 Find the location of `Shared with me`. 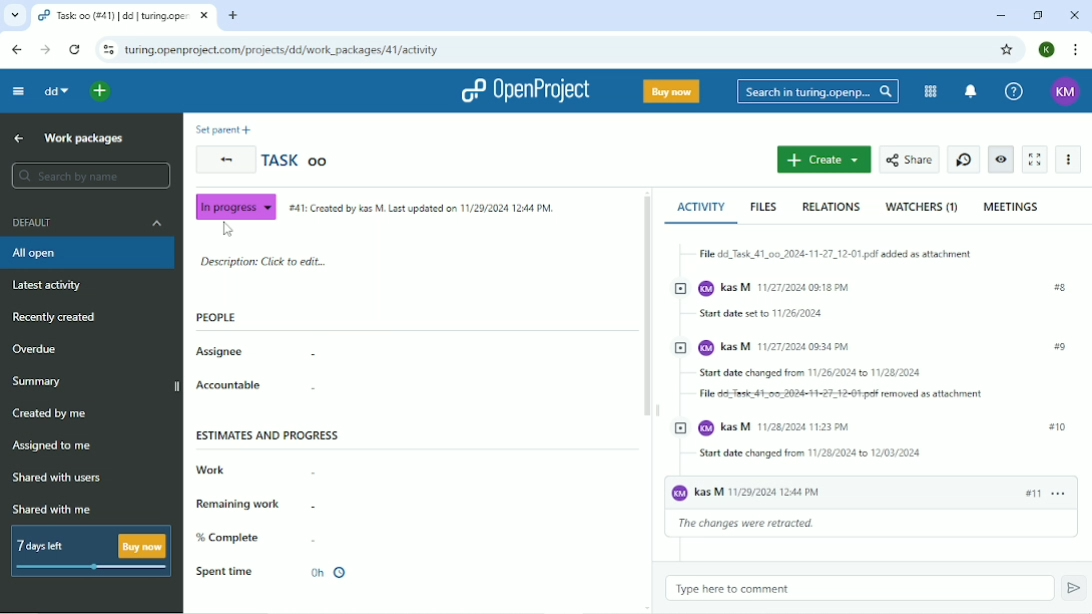

Shared with me is located at coordinates (51, 508).